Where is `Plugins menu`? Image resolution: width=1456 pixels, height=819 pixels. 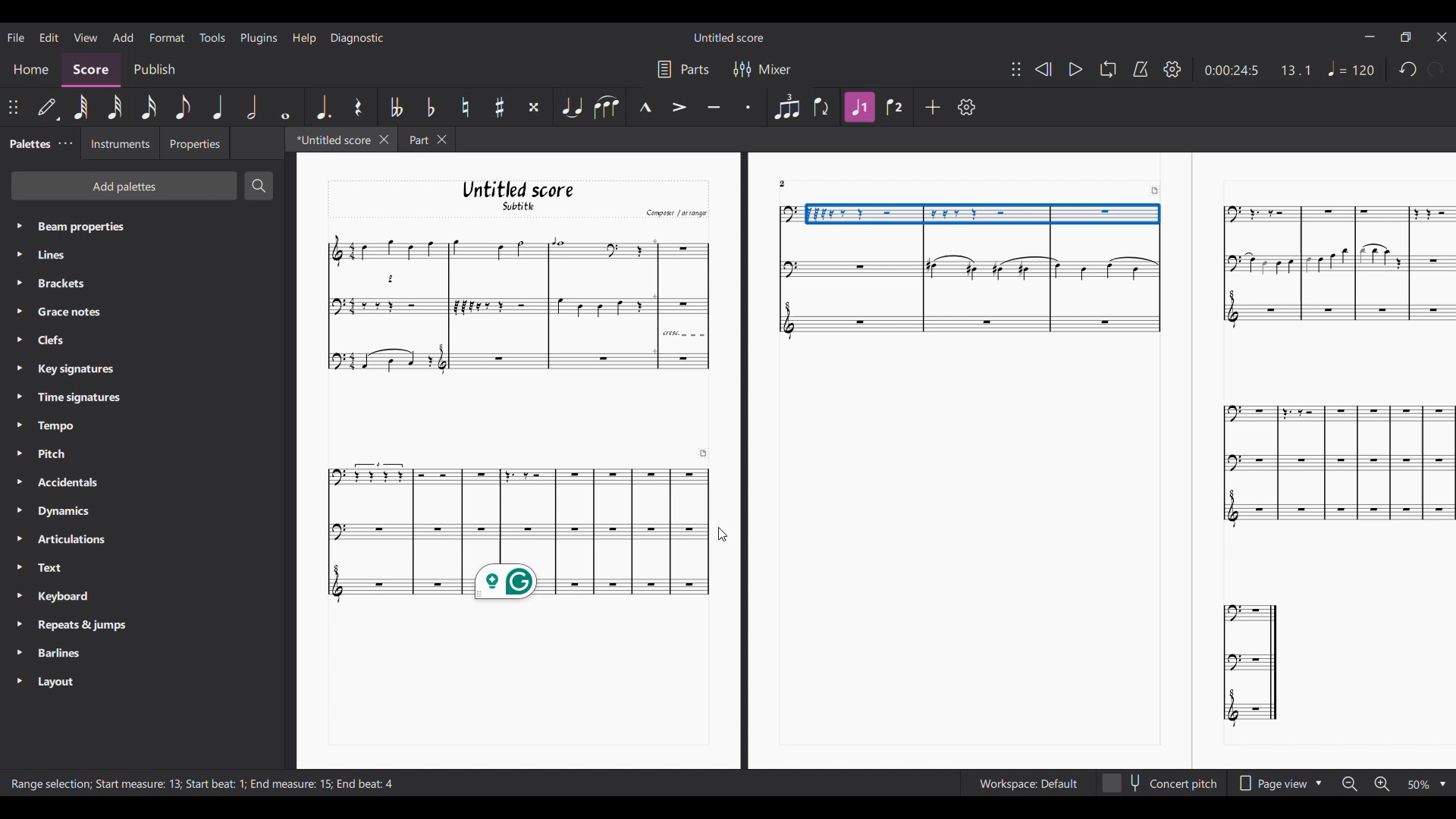 Plugins menu is located at coordinates (259, 39).